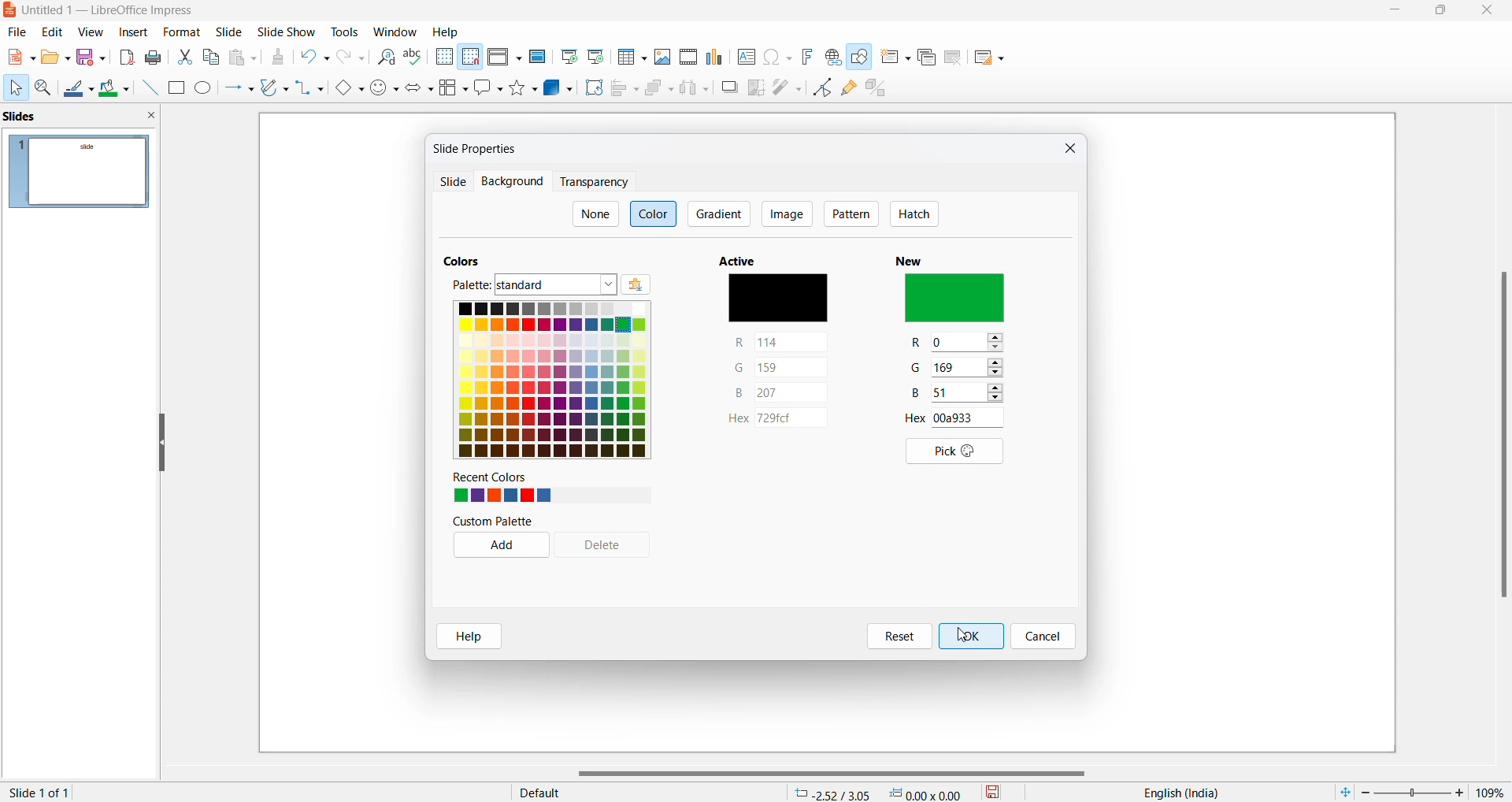  I want to click on line color, so click(79, 90).